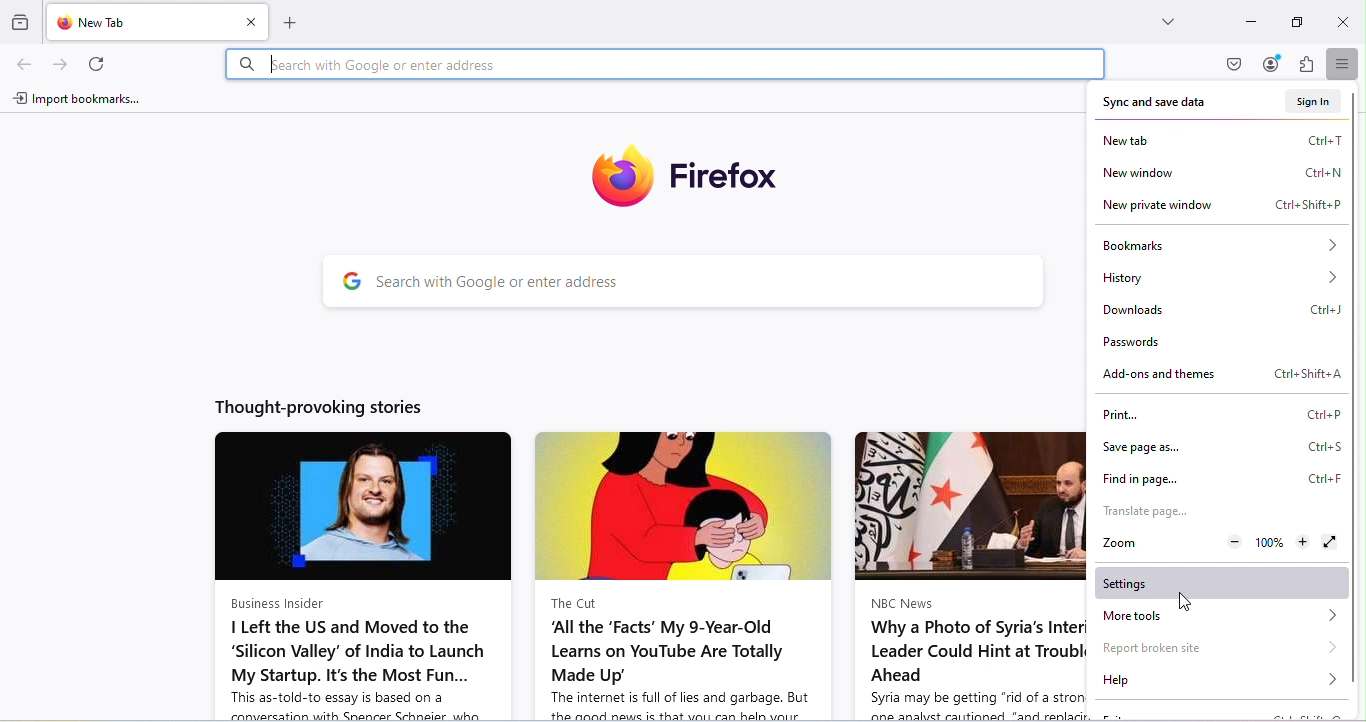 The height and width of the screenshot is (722, 1366). Describe the element at coordinates (142, 21) in the screenshot. I see `New tab` at that location.